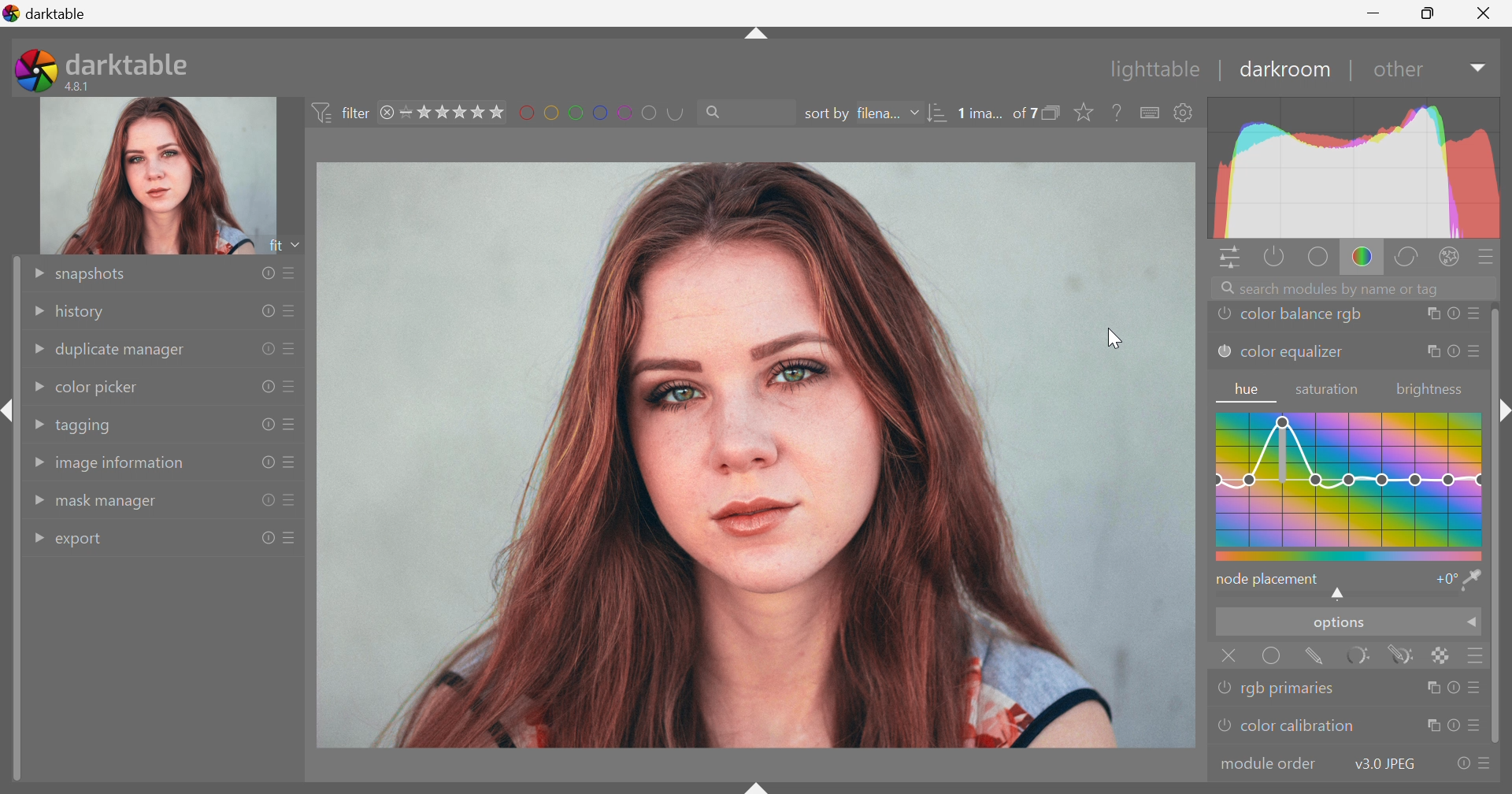 Image resolution: width=1512 pixels, height=794 pixels. Describe the element at coordinates (121, 467) in the screenshot. I see `image information` at that location.